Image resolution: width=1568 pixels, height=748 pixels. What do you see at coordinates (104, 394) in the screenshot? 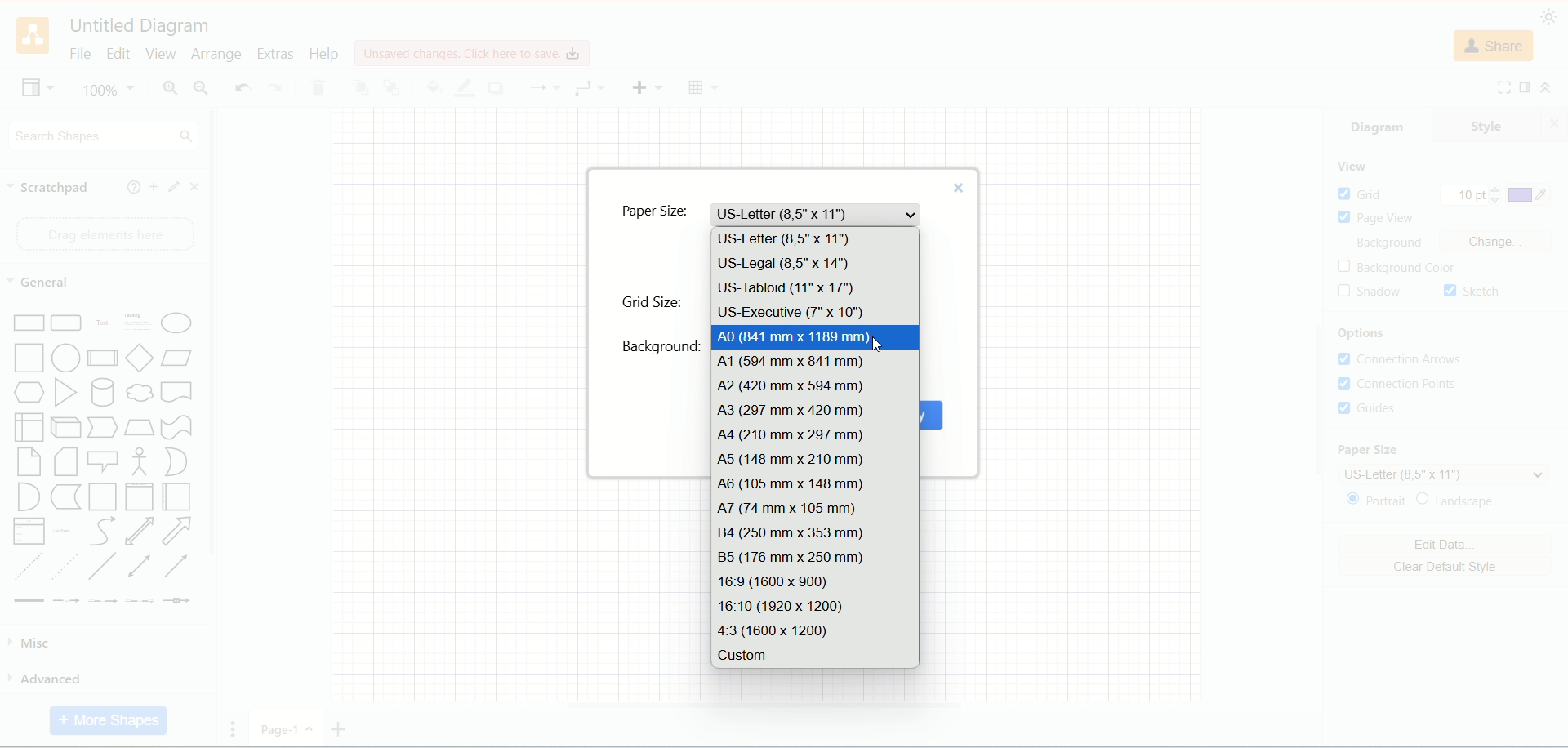
I see `Cylinder` at bounding box center [104, 394].